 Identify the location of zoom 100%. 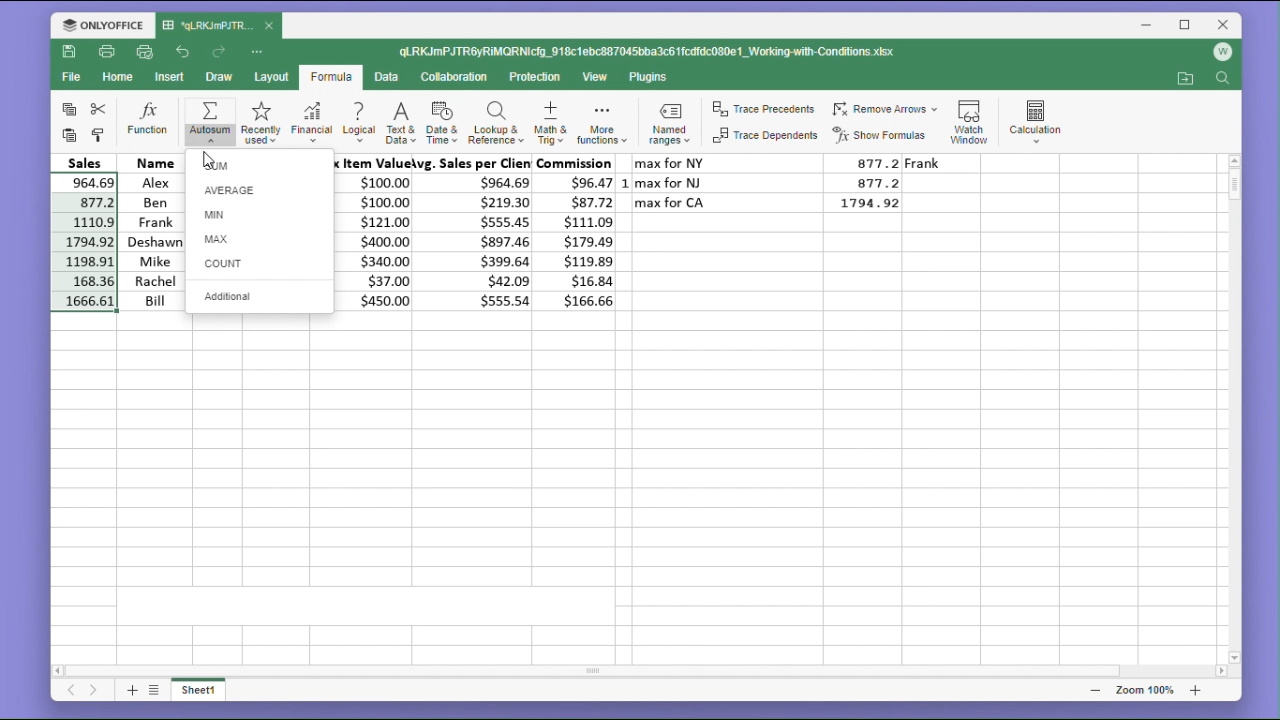
(1141, 690).